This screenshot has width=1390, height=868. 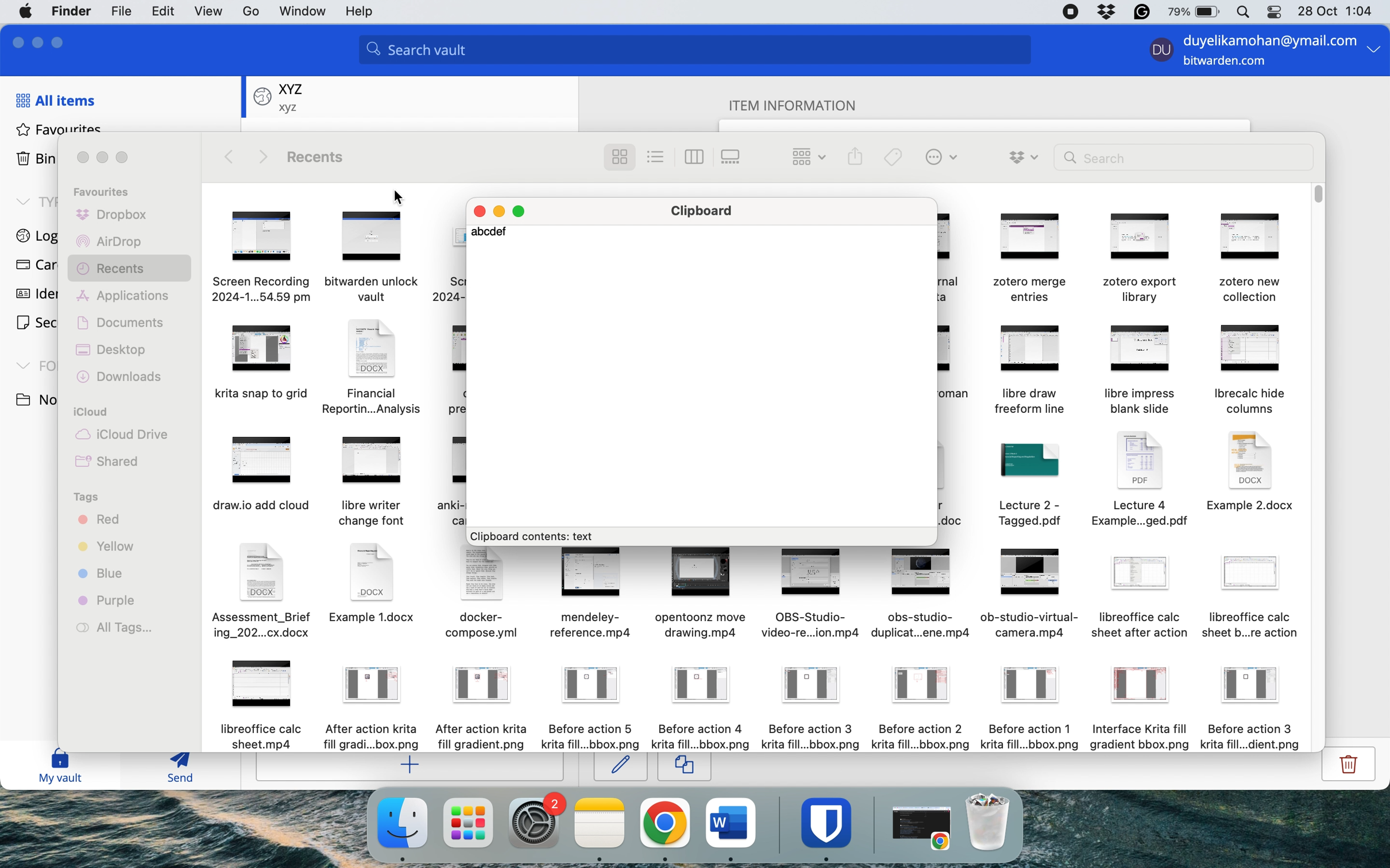 What do you see at coordinates (364, 12) in the screenshot?
I see `help` at bounding box center [364, 12].